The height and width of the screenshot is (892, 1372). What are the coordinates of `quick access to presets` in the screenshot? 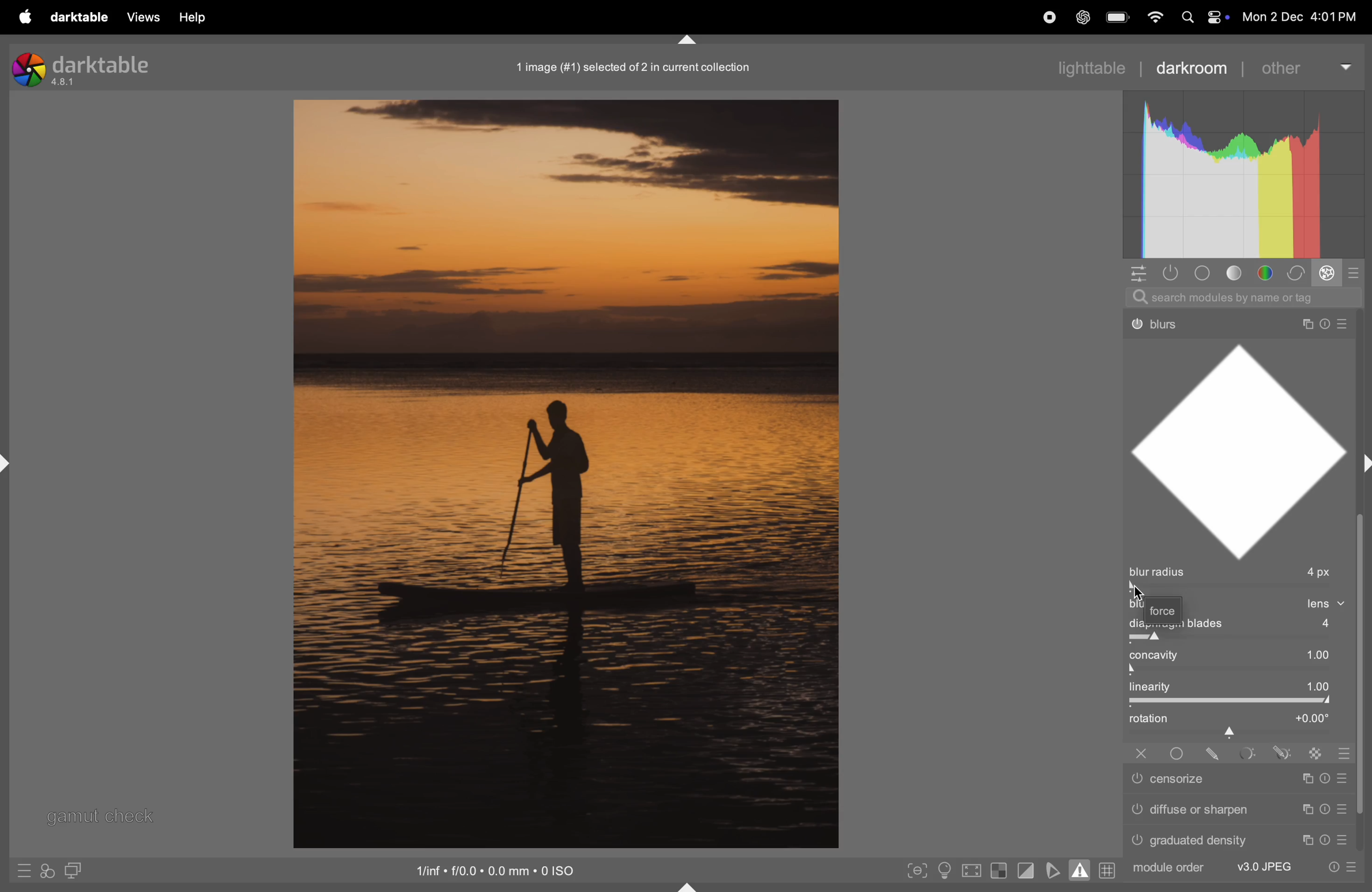 It's located at (25, 872).